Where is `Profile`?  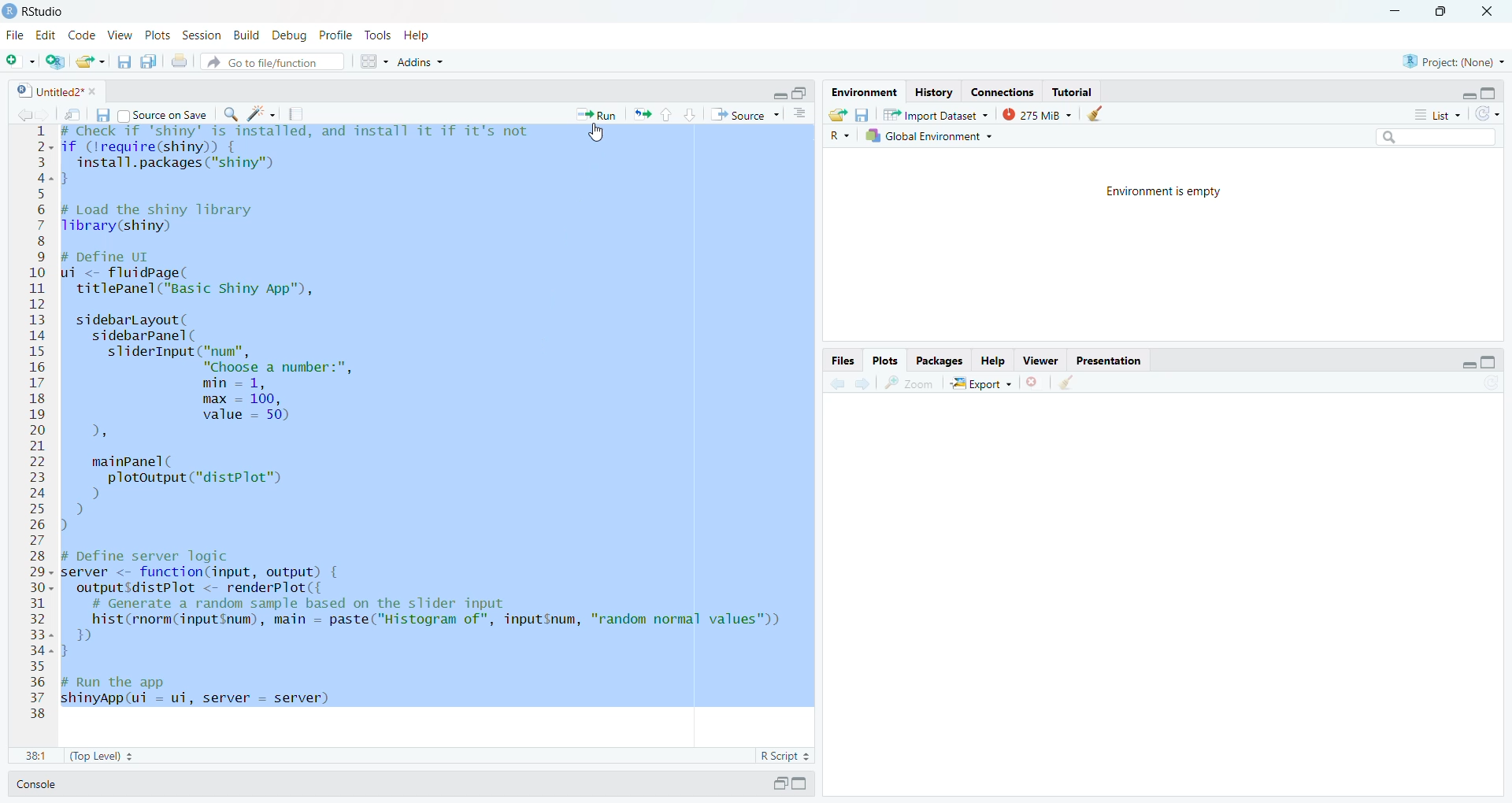
Profile is located at coordinates (335, 35).